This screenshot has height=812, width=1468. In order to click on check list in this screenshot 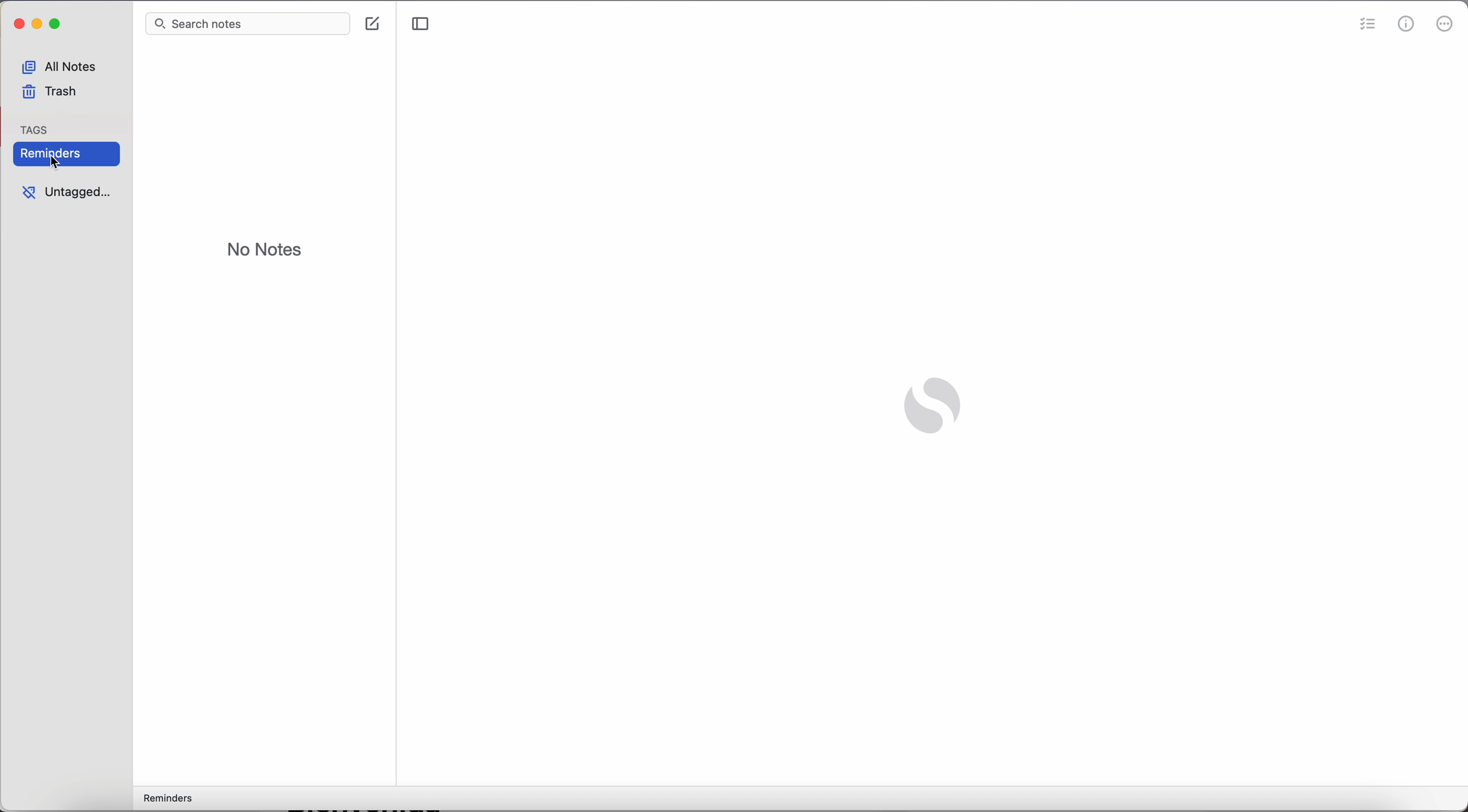, I will do `click(1368, 24)`.